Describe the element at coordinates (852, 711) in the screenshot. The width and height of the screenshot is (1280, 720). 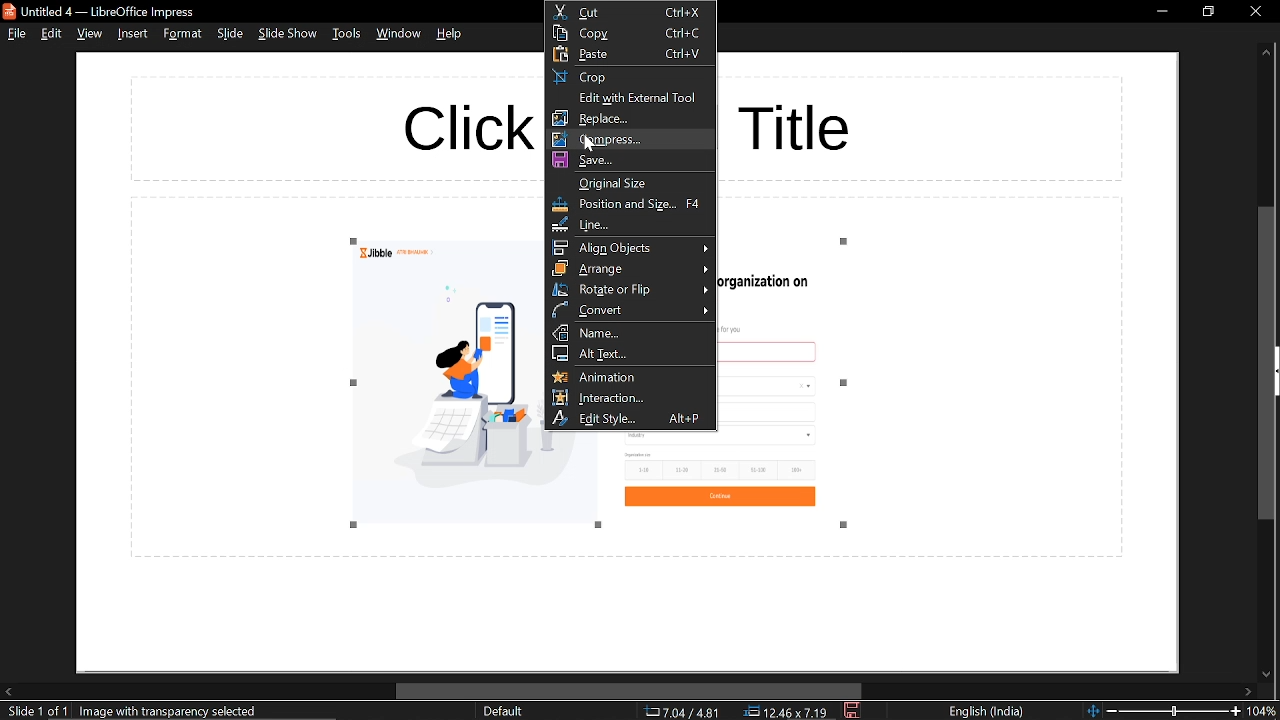
I see `save` at that location.